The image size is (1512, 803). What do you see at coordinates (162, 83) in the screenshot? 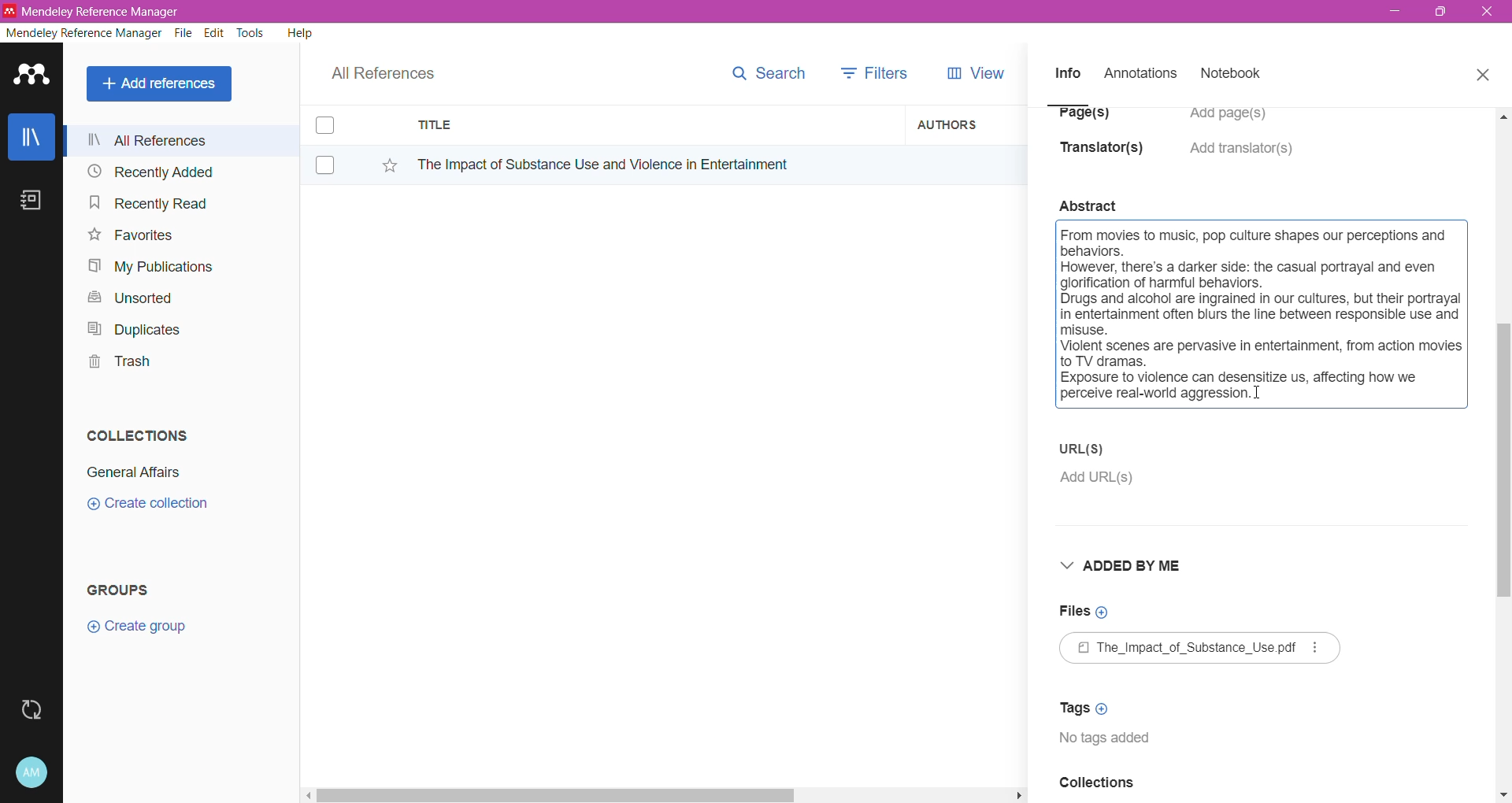
I see `Add References` at bounding box center [162, 83].